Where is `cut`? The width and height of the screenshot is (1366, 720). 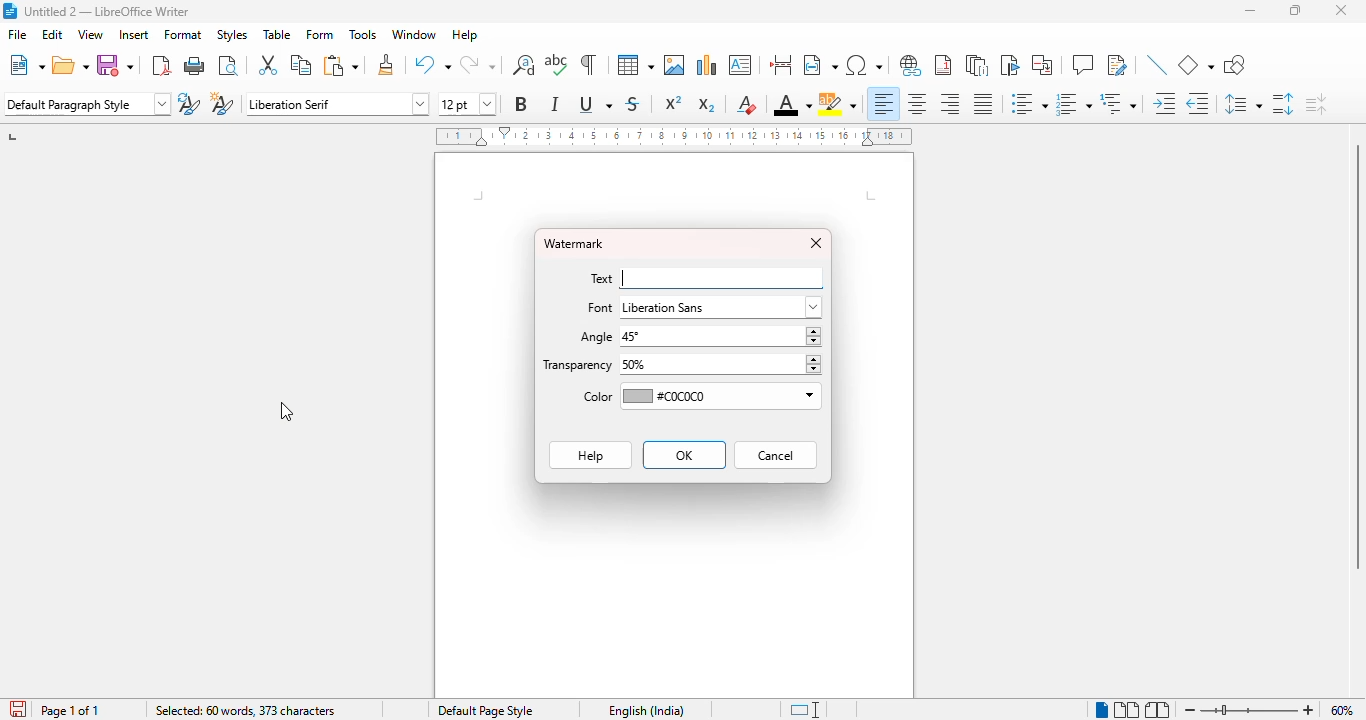
cut is located at coordinates (267, 64).